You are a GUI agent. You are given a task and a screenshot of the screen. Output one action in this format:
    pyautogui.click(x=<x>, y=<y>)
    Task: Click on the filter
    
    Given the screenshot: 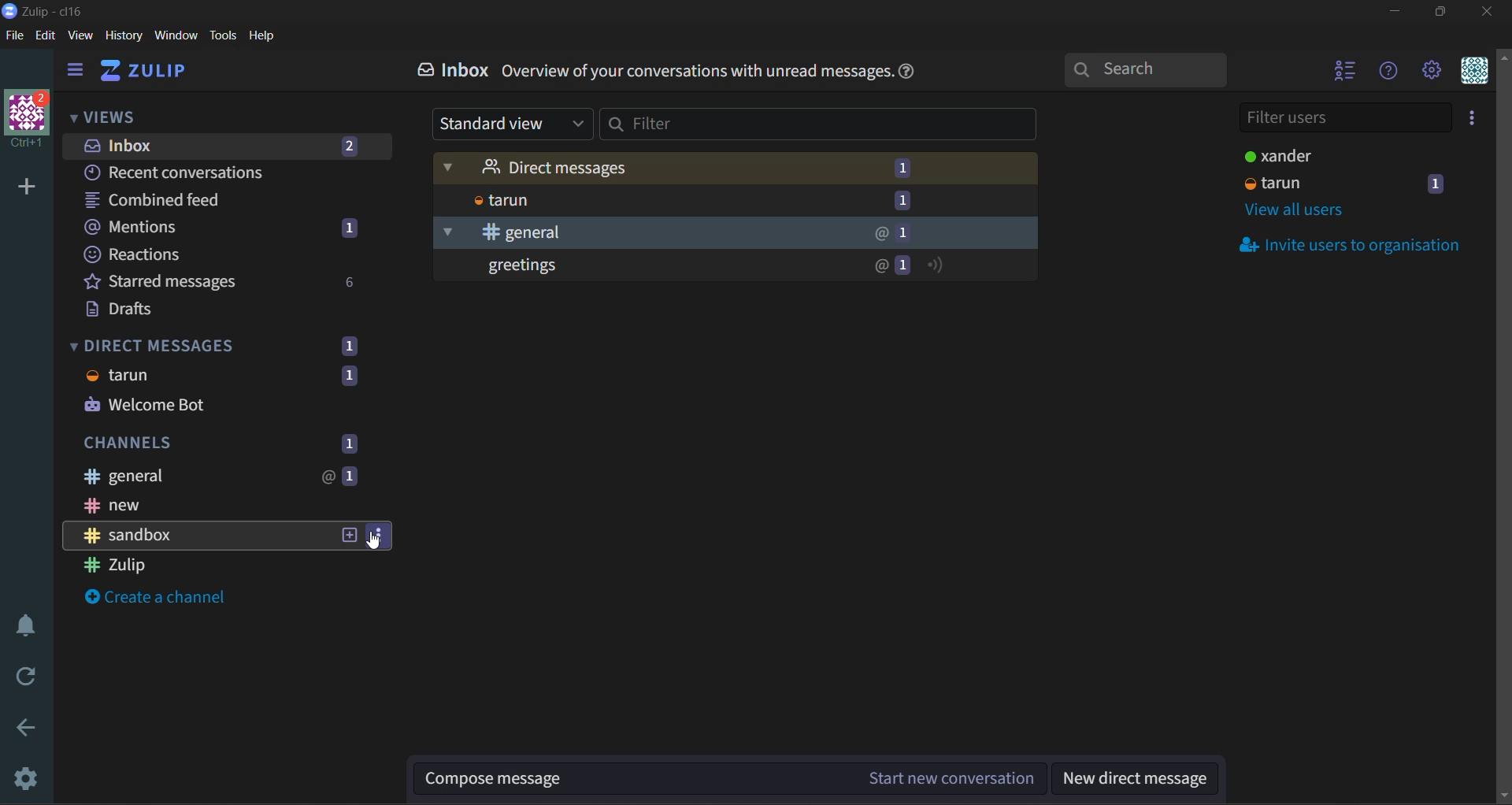 What is the action you would take?
    pyautogui.click(x=818, y=128)
    